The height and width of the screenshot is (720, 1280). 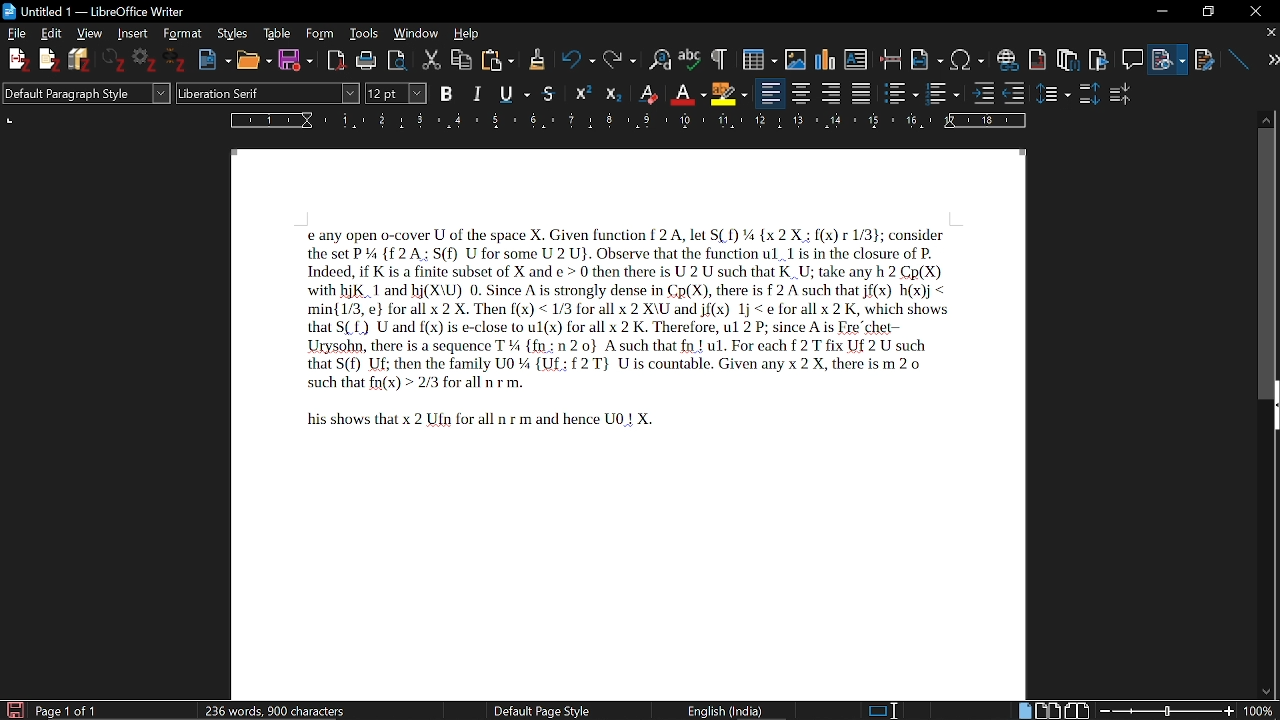 I want to click on insert bookmark, so click(x=1100, y=57).